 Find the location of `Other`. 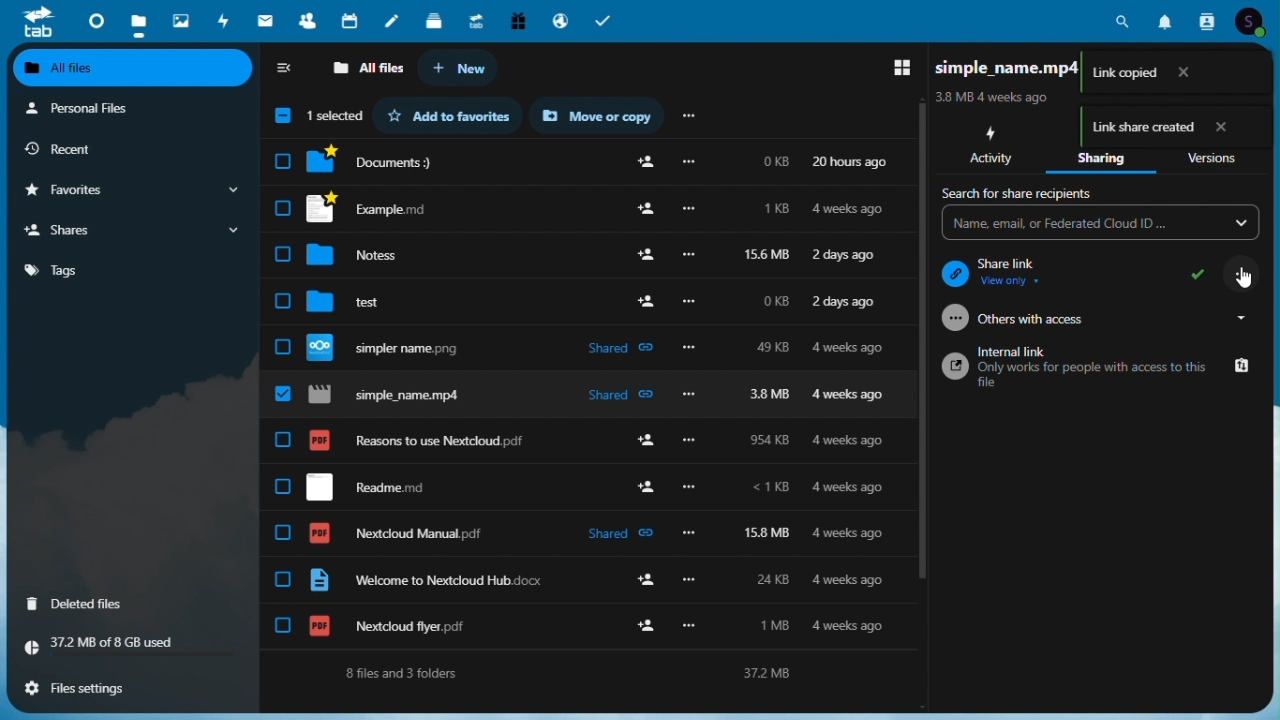

Other is located at coordinates (1095, 320).